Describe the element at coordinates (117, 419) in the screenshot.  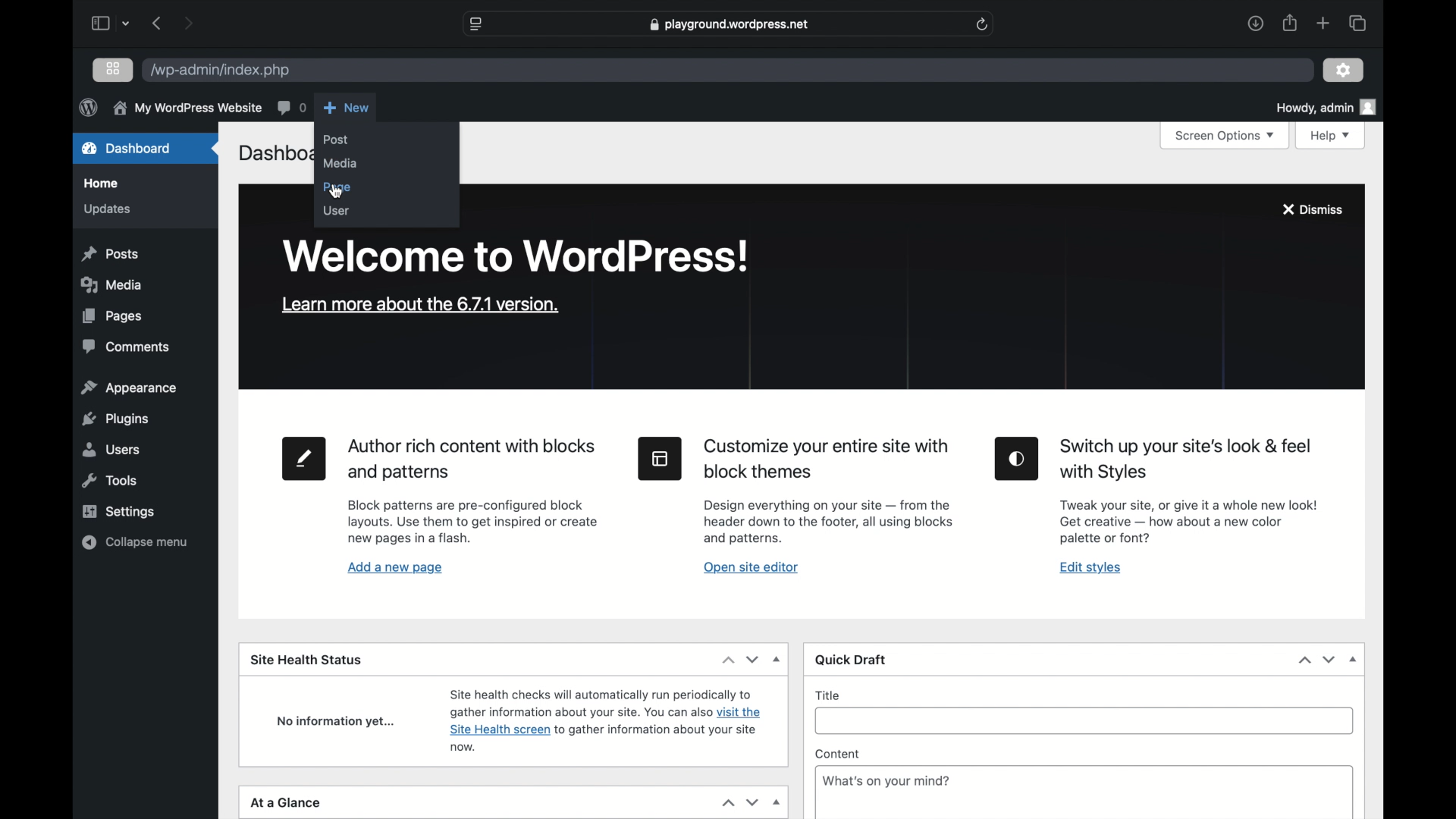
I see `plugins` at that location.